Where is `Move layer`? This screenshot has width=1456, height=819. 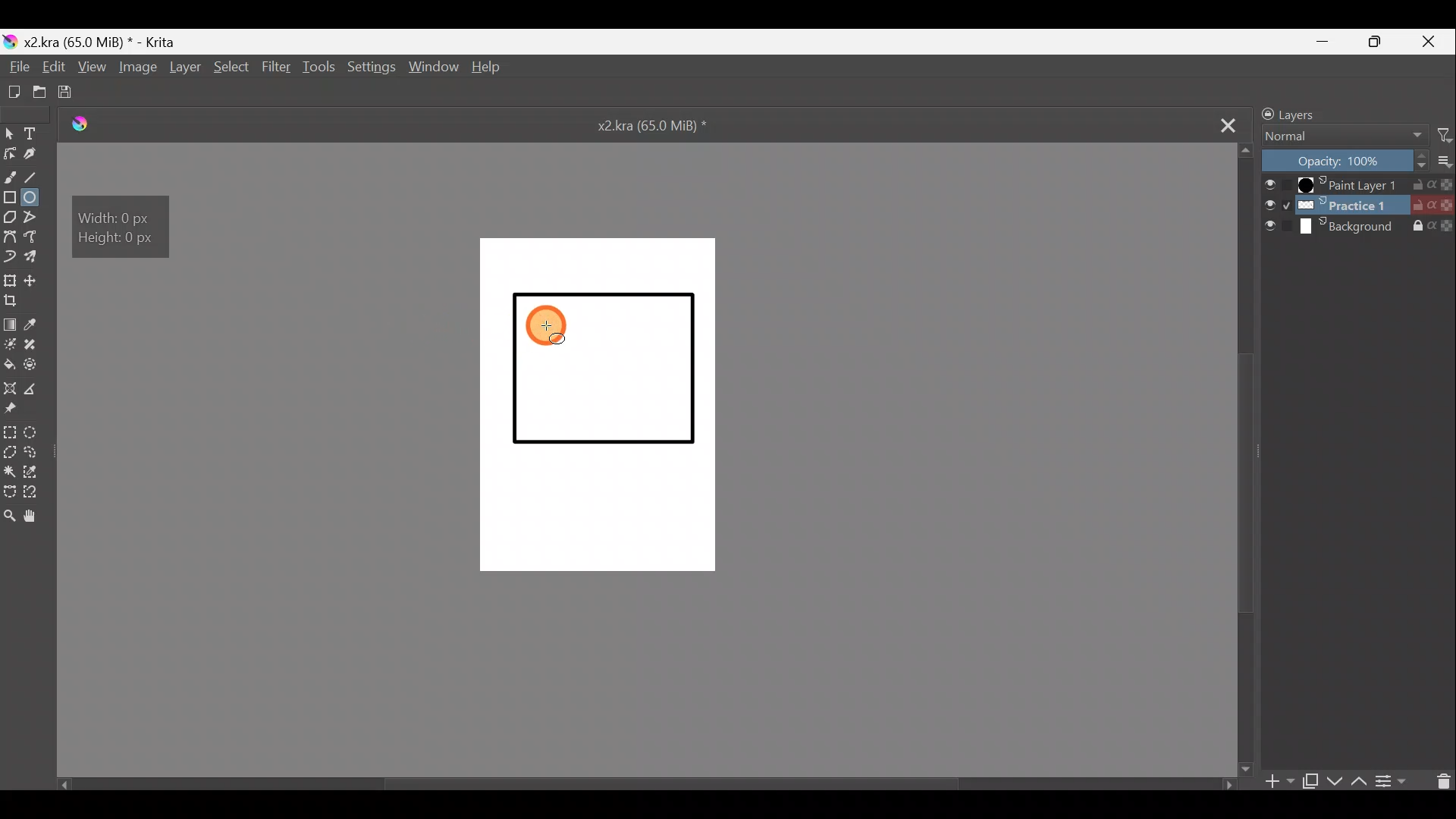 Move layer is located at coordinates (38, 281).